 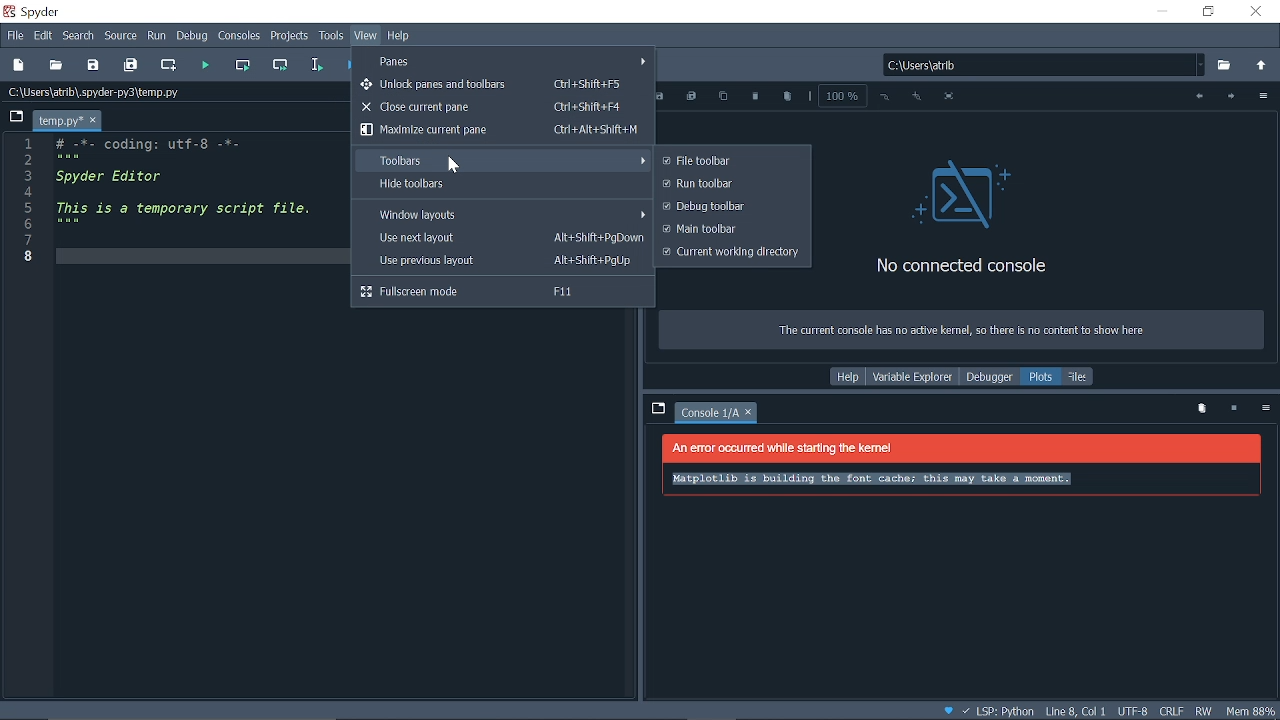 What do you see at coordinates (122, 36) in the screenshot?
I see `Source` at bounding box center [122, 36].